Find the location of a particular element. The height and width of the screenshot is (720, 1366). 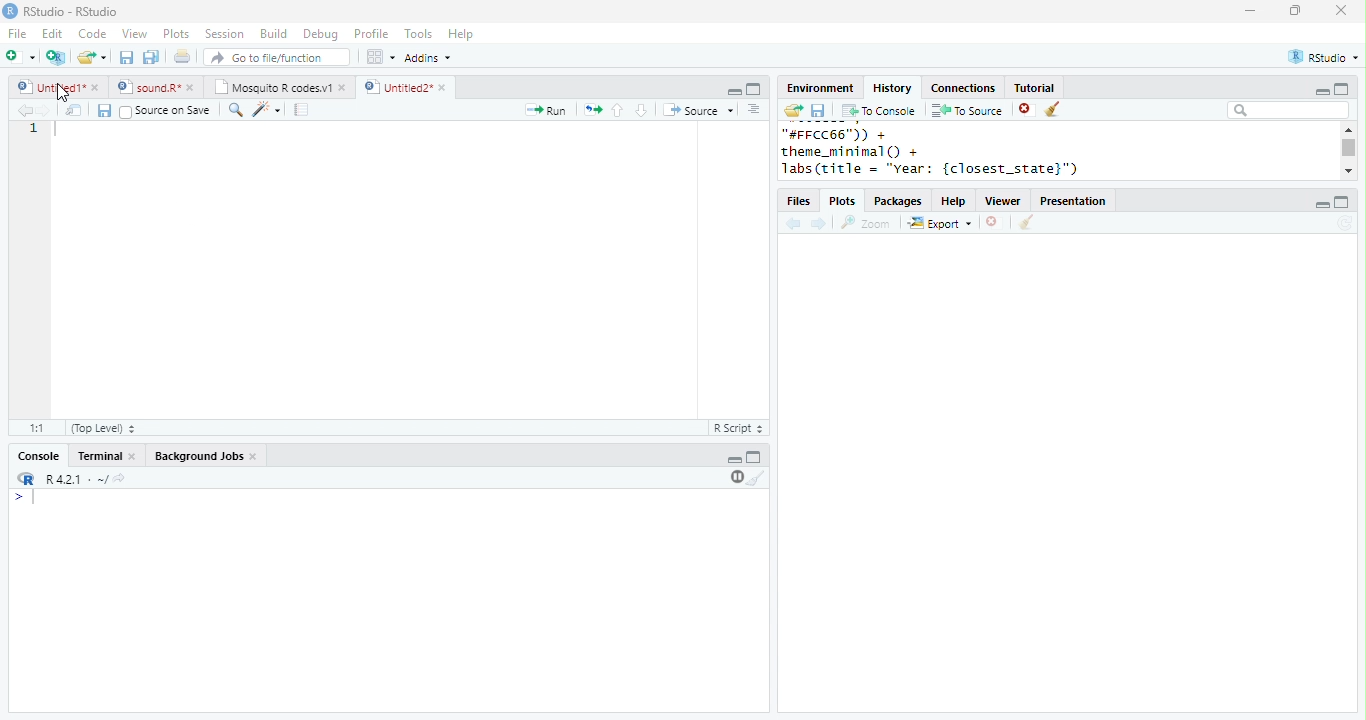

search file is located at coordinates (275, 57).